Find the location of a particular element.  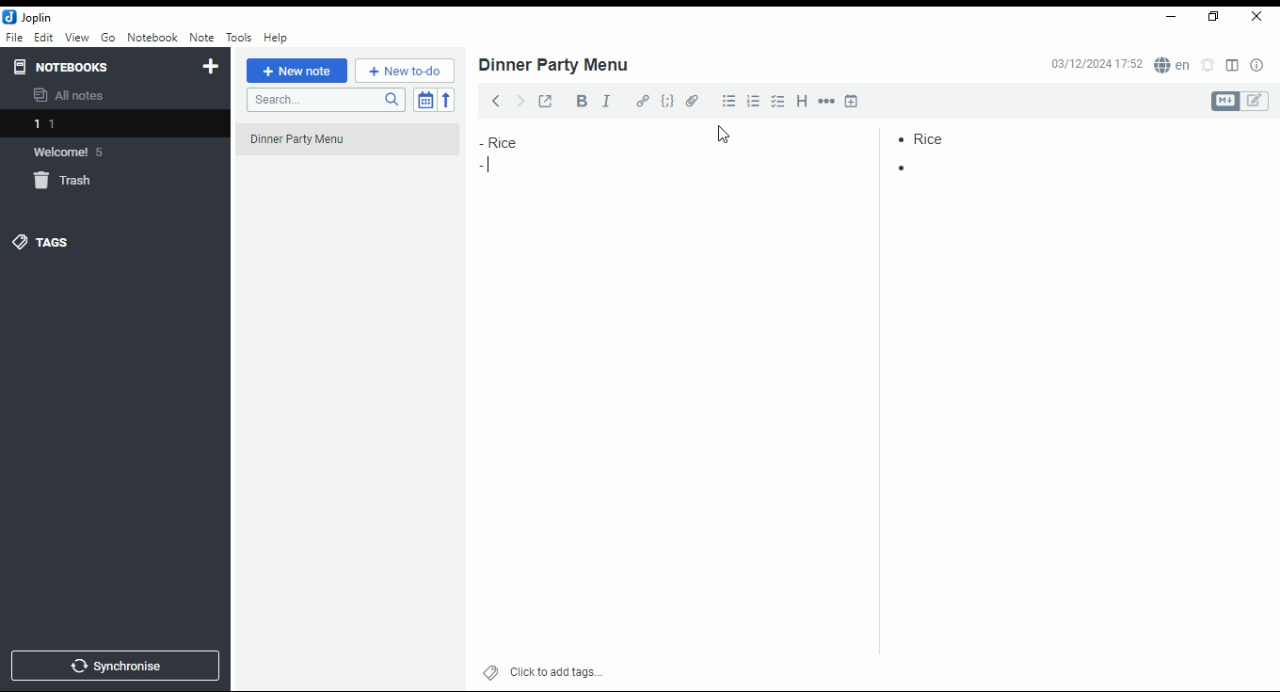

trash is located at coordinates (66, 181).